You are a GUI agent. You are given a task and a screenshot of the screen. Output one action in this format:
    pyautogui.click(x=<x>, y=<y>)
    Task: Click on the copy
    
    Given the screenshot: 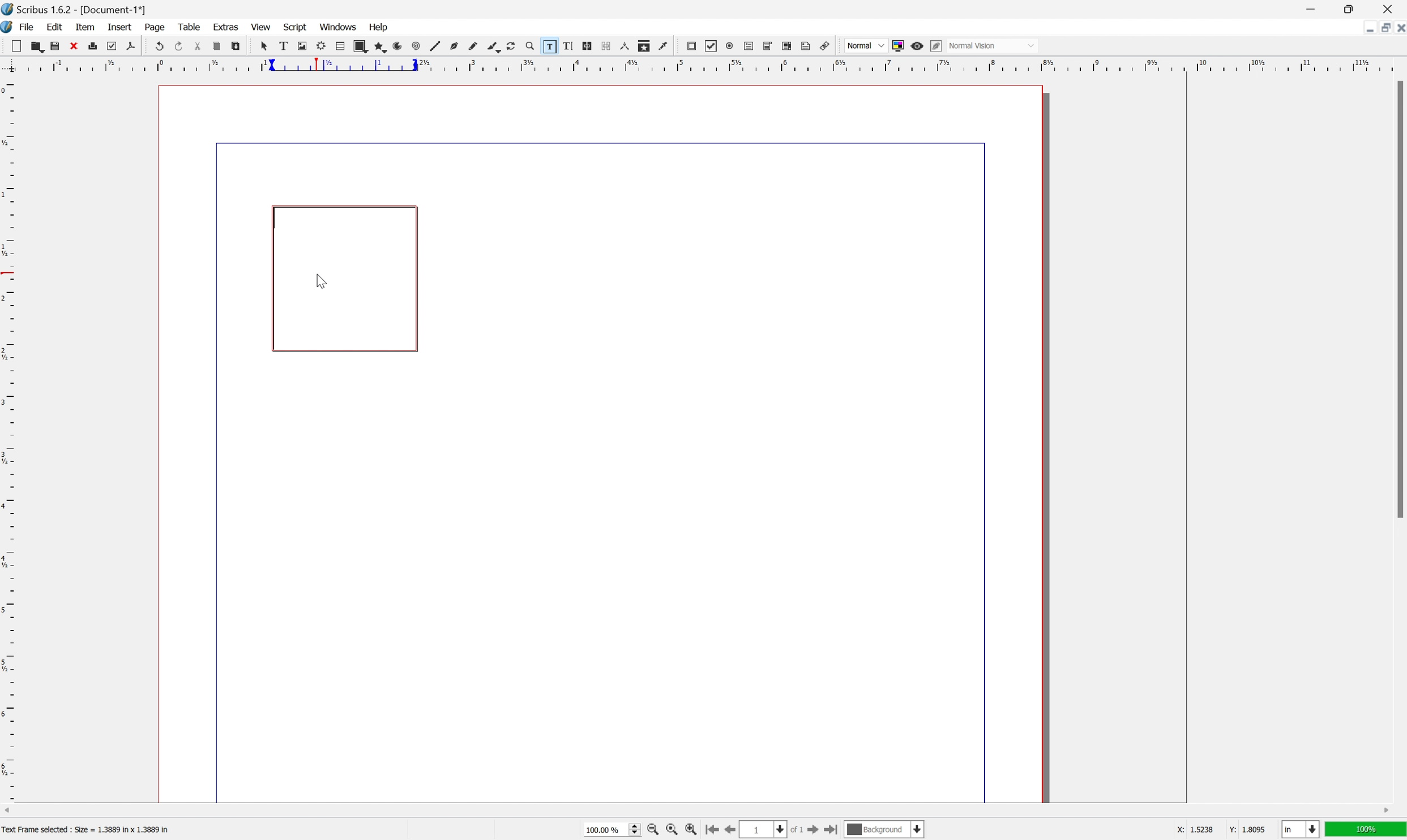 What is the action you would take?
    pyautogui.click(x=216, y=47)
    